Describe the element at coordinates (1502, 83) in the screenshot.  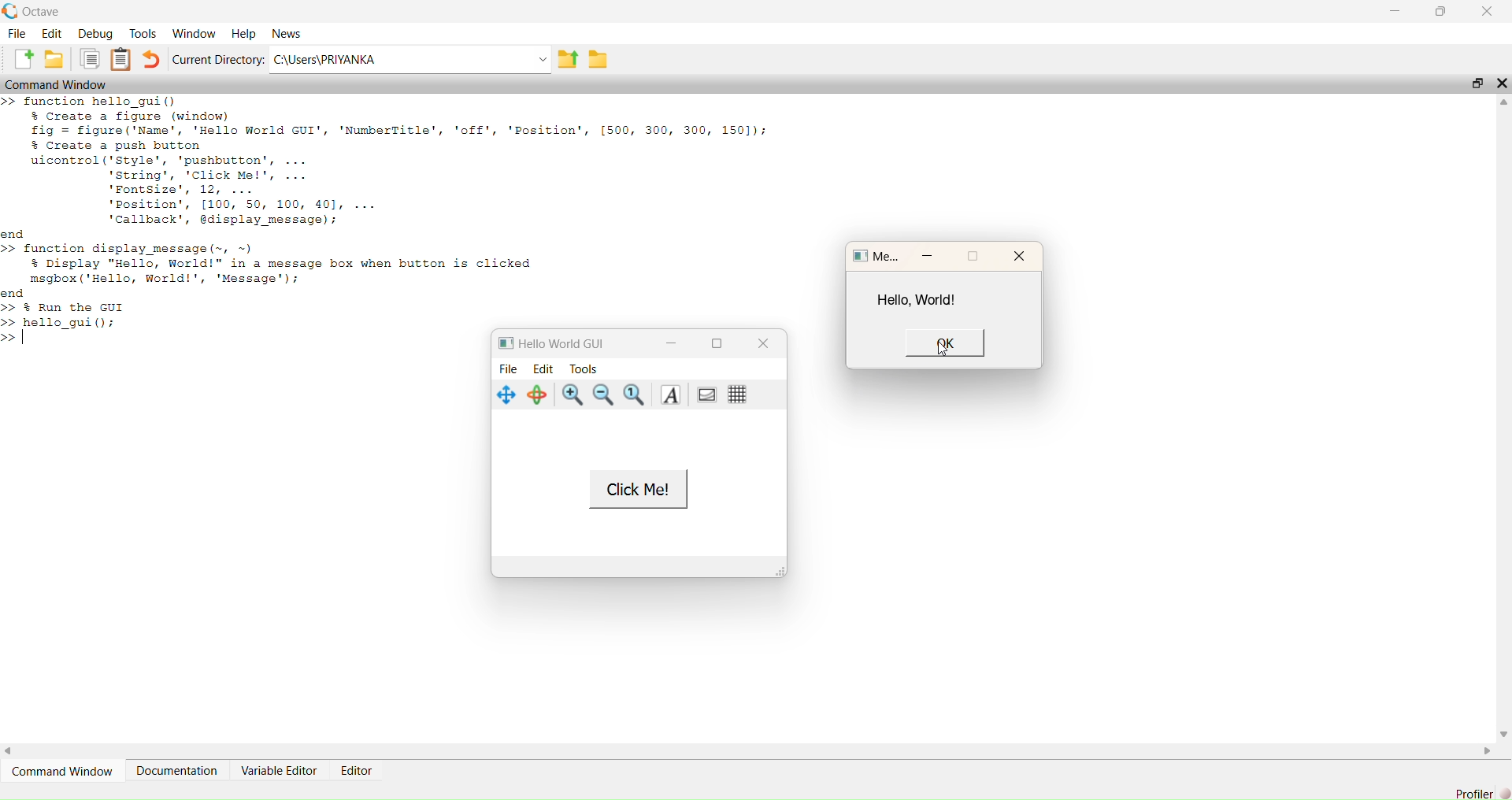
I see `close` at that location.